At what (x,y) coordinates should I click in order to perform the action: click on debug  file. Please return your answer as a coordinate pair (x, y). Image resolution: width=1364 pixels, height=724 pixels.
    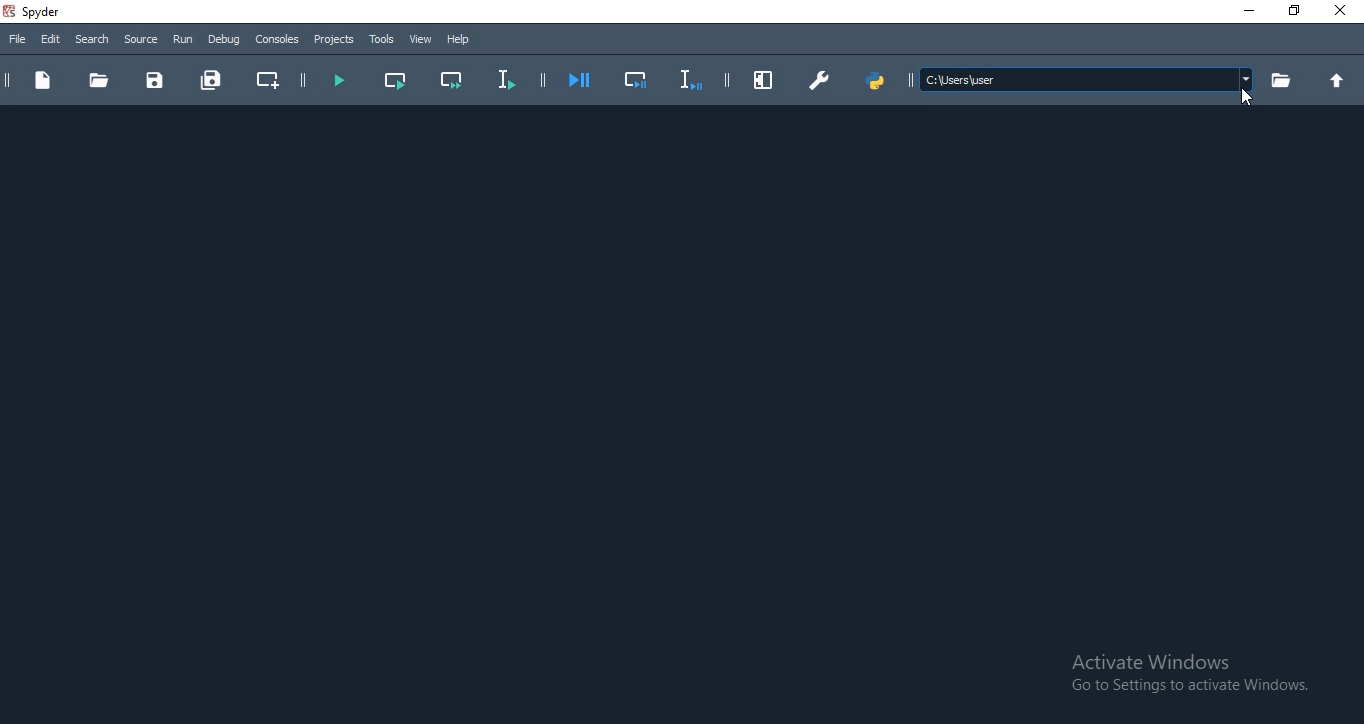
    Looking at the image, I should click on (581, 81).